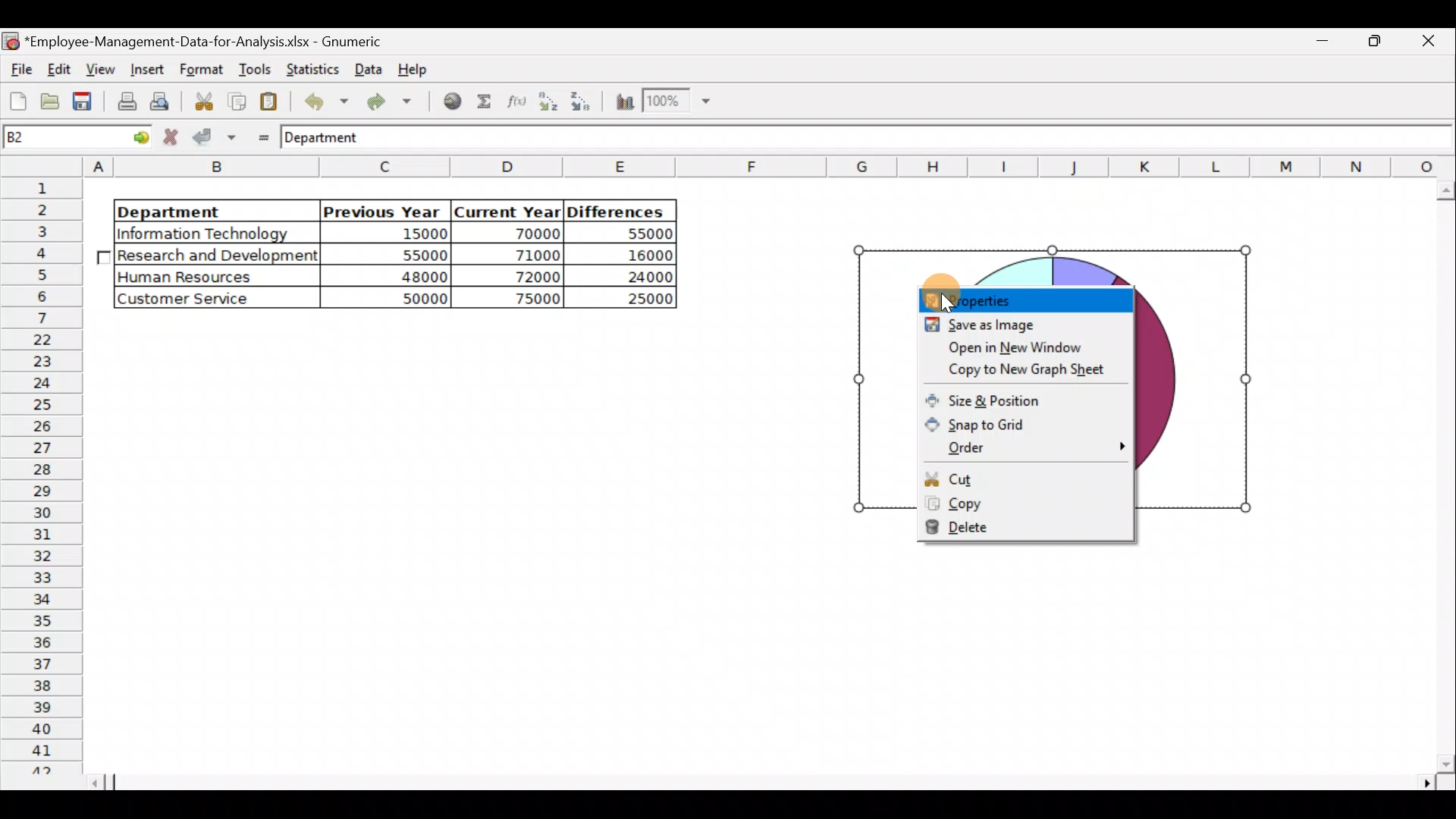 The width and height of the screenshot is (1456, 819). What do you see at coordinates (132, 139) in the screenshot?
I see `go to` at bounding box center [132, 139].